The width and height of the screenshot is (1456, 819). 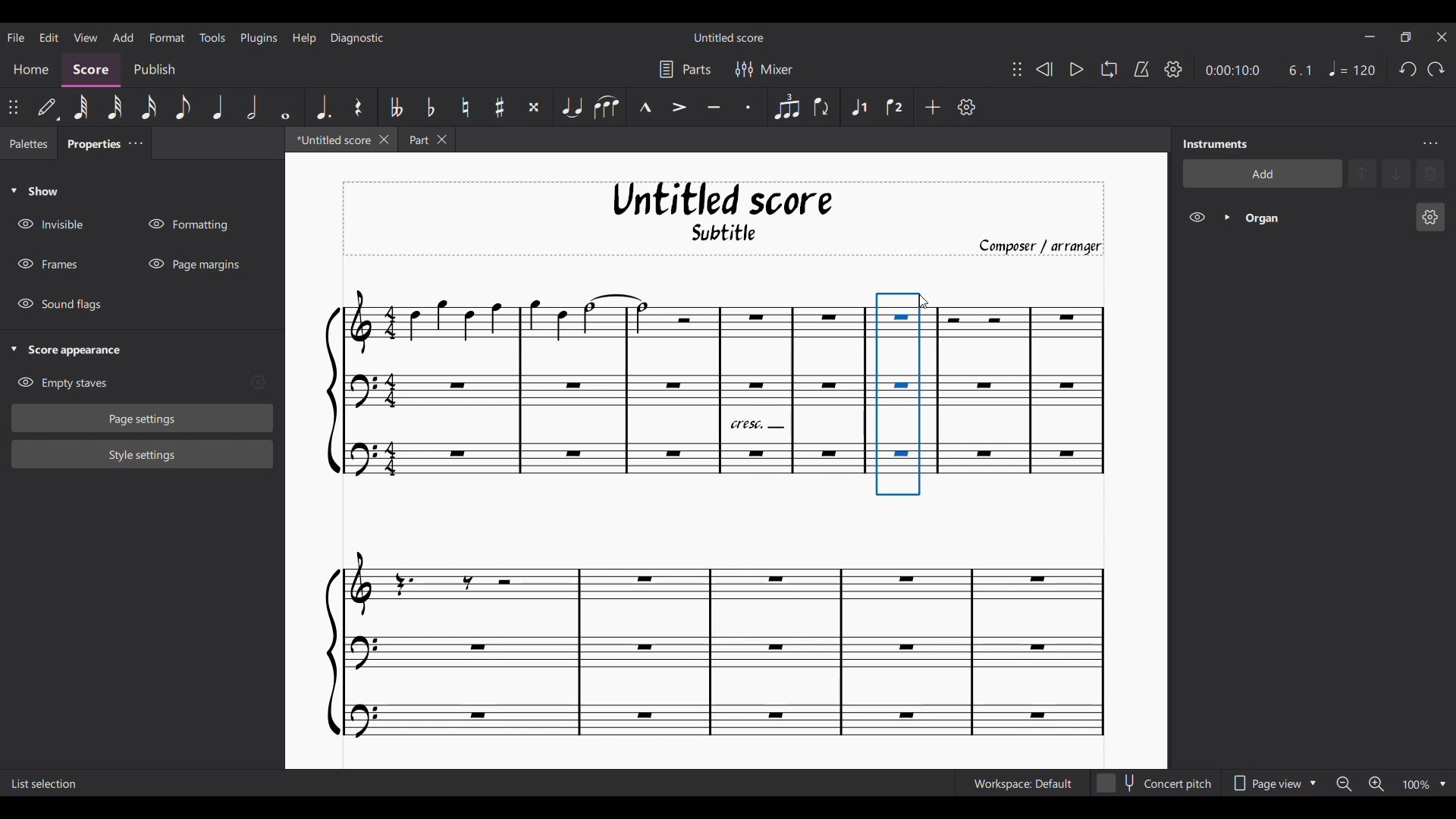 What do you see at coordinates (1262, 173) in the screenshot?
I see `Add instrument` at bounding box center [1262, 173].